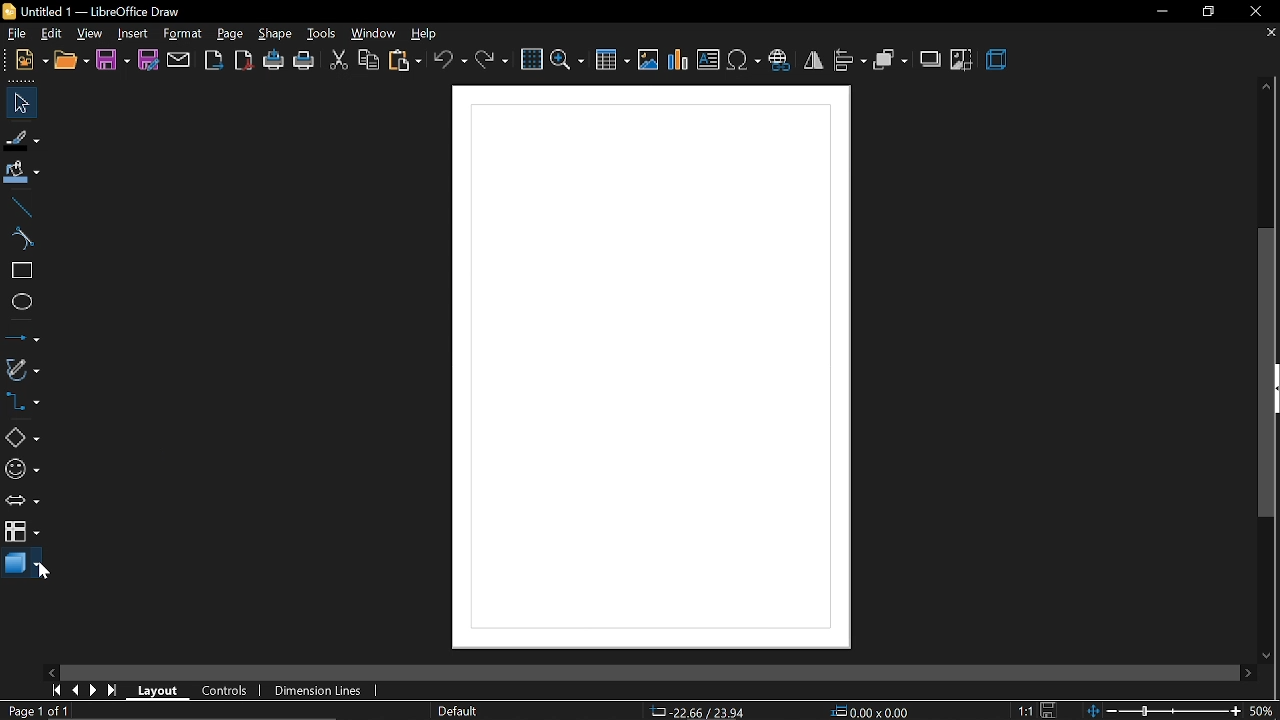 The width and height of the screenshot is (1280, 720). I want to click on curves and polygons, so click(22, 367).